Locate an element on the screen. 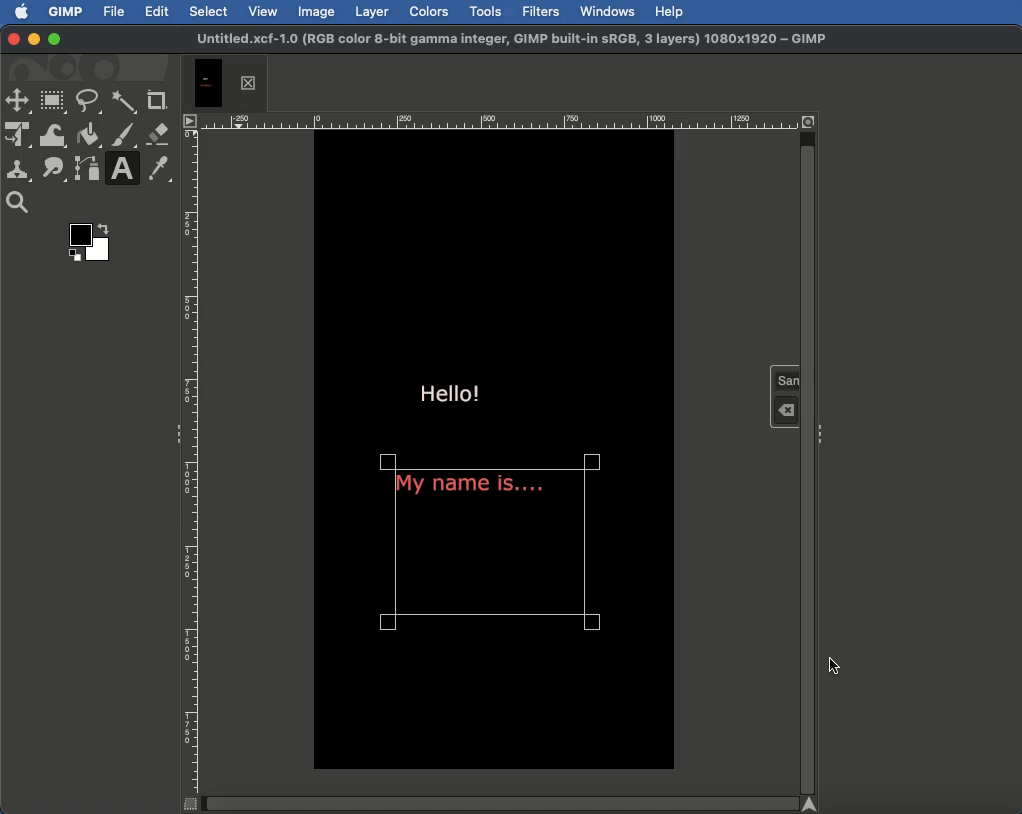 This screenshot has height=814, width=1022. Ruler is located at coordinates (192, 462).